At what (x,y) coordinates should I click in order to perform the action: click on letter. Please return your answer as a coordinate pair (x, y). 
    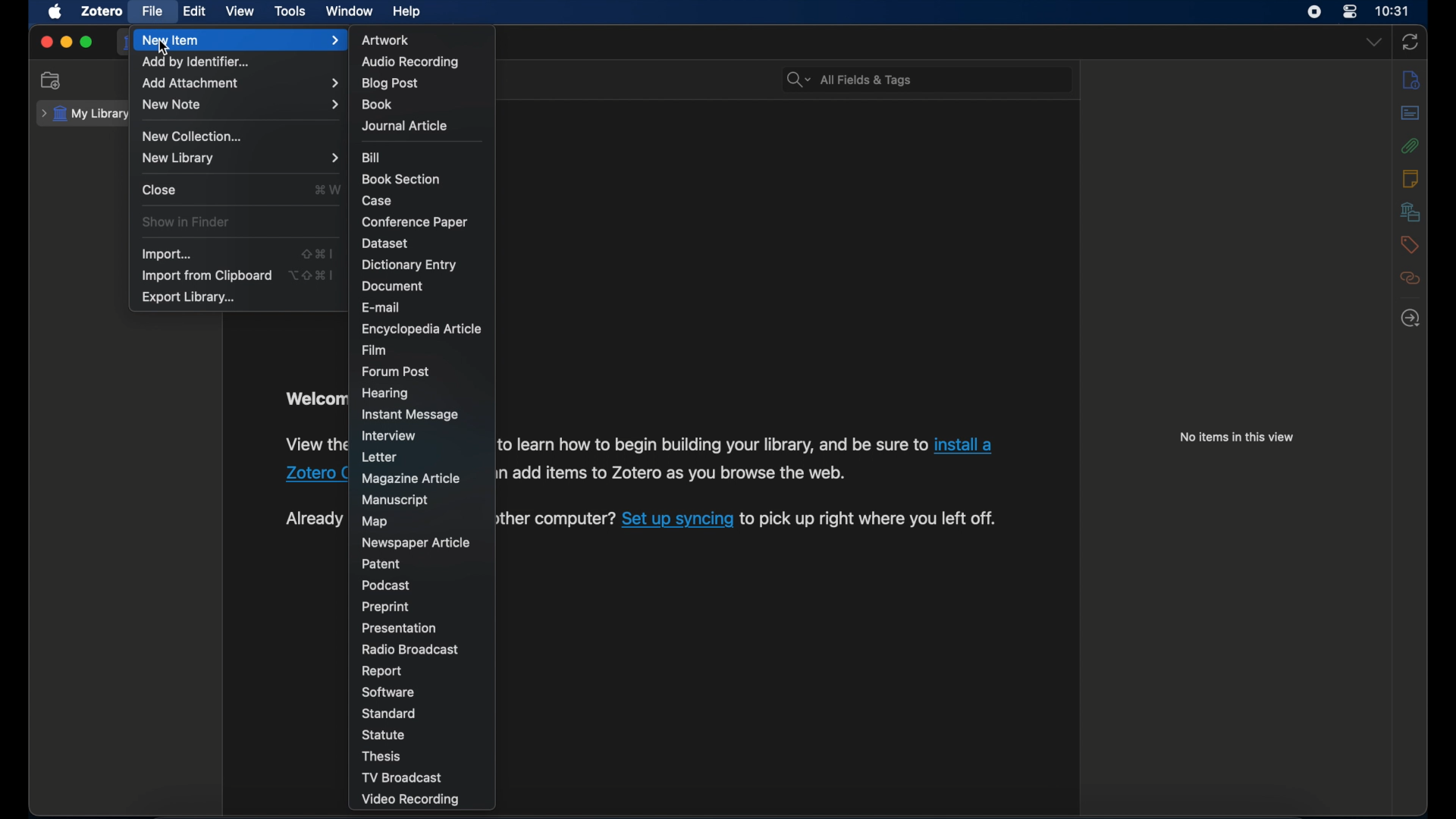
    Looking at the image, I should click on (378, 458).